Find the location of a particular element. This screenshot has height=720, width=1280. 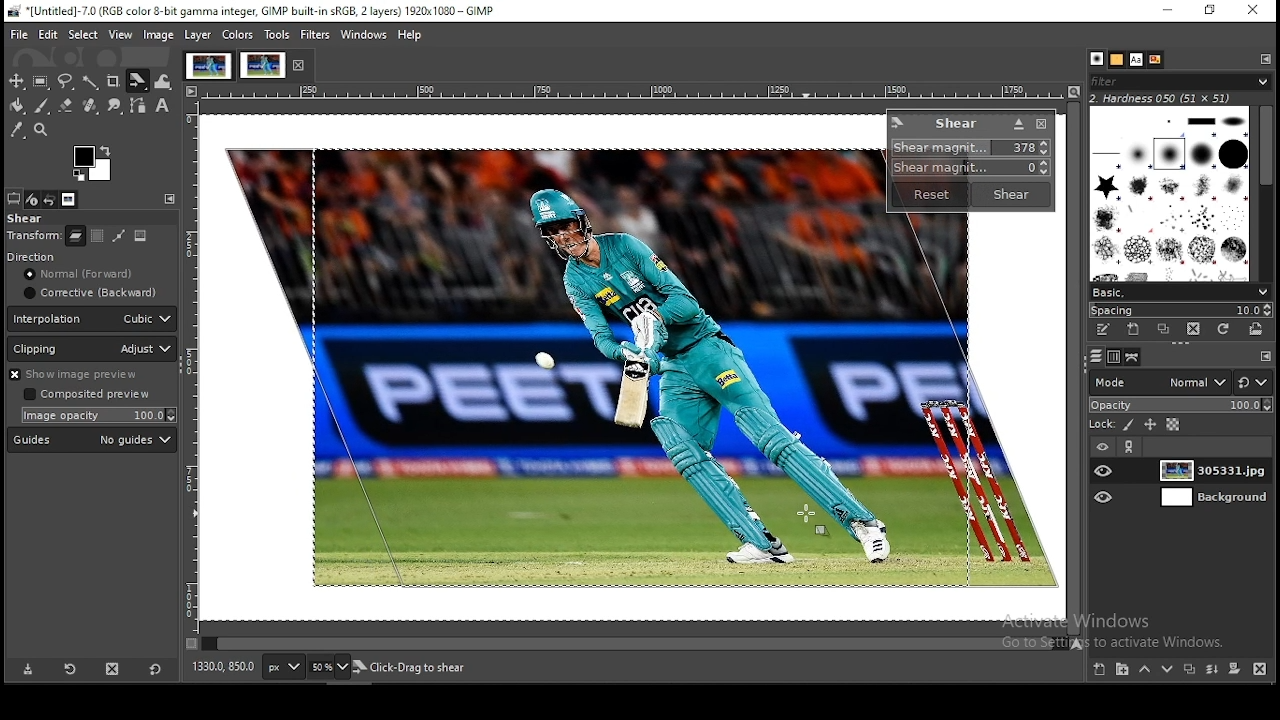

images is located at coordinates (70, 200).